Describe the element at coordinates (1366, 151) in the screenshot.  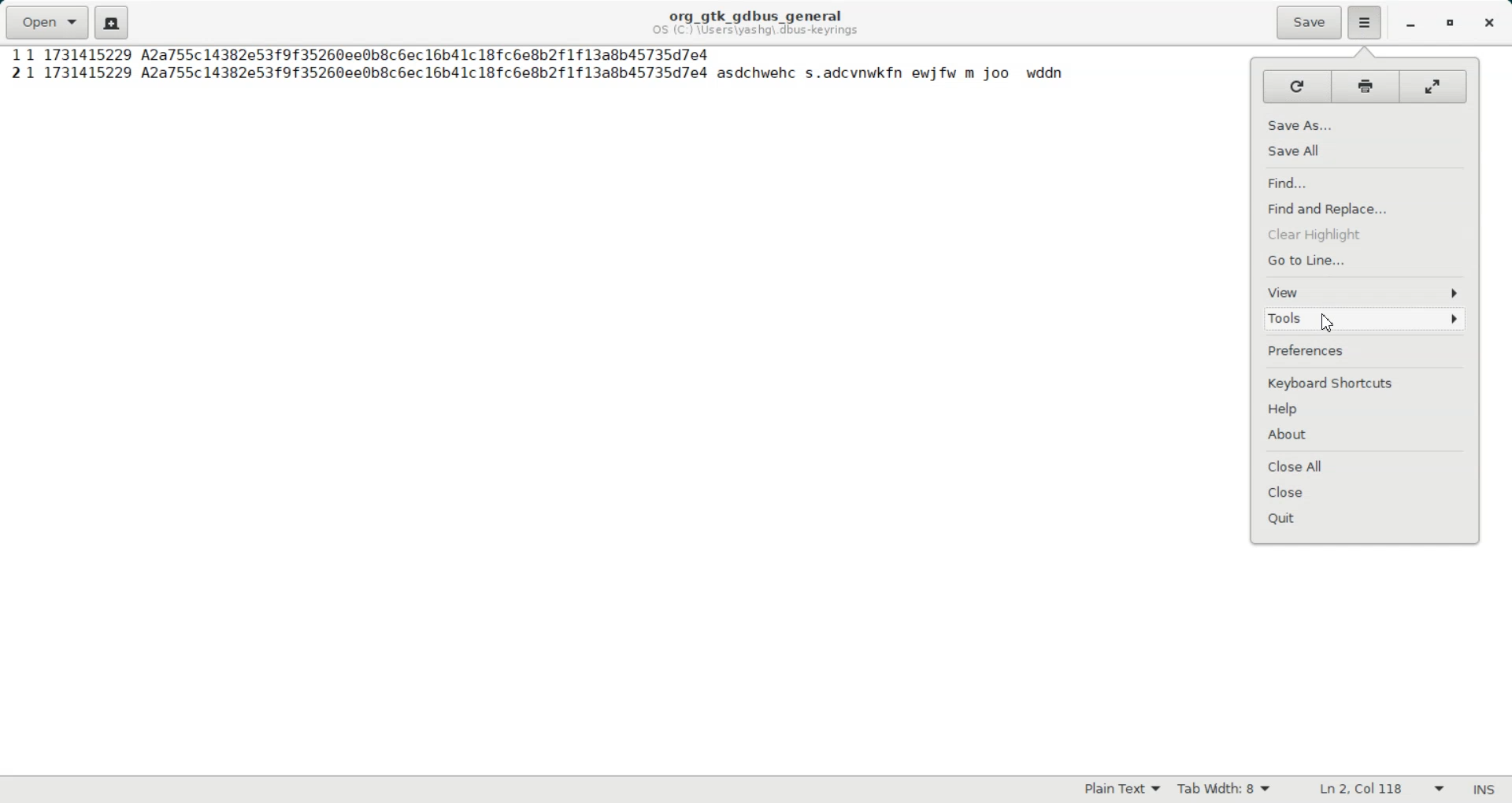
I see `Save All` at that location.